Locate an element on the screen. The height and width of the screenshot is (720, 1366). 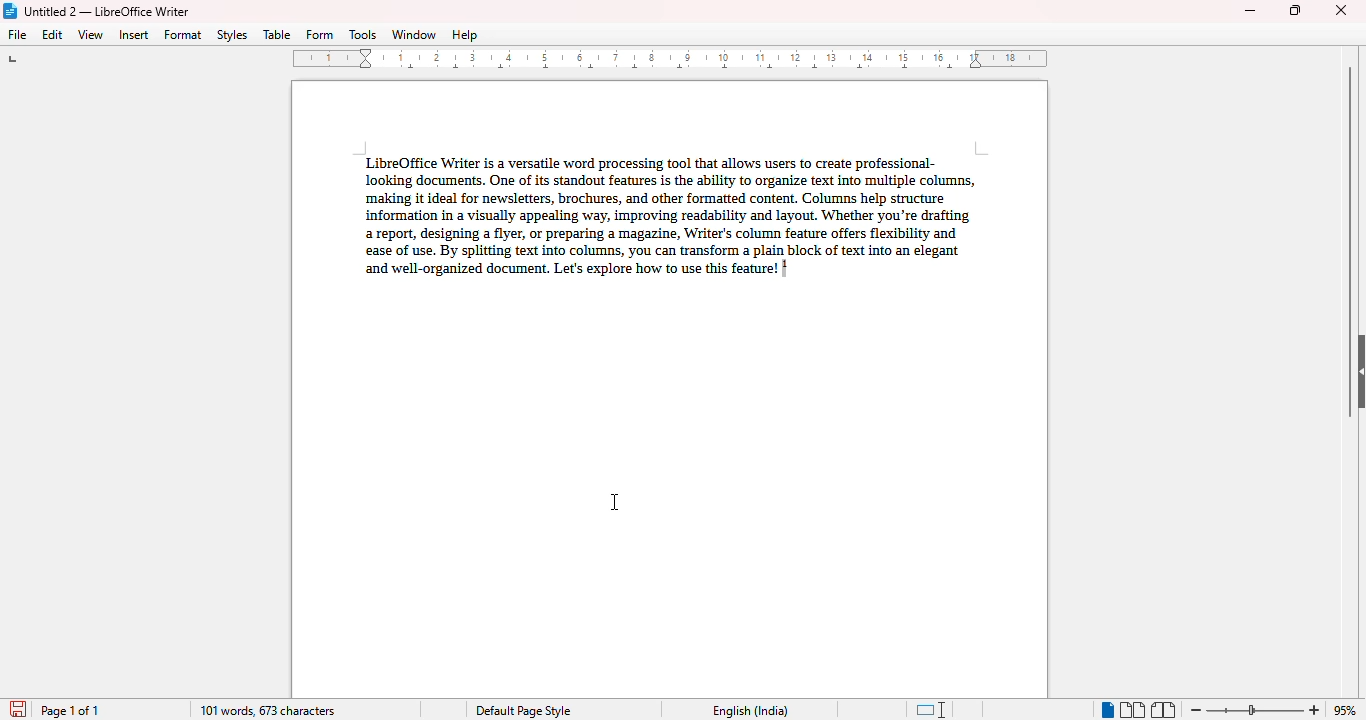
table is located at coordinates (277, 34).